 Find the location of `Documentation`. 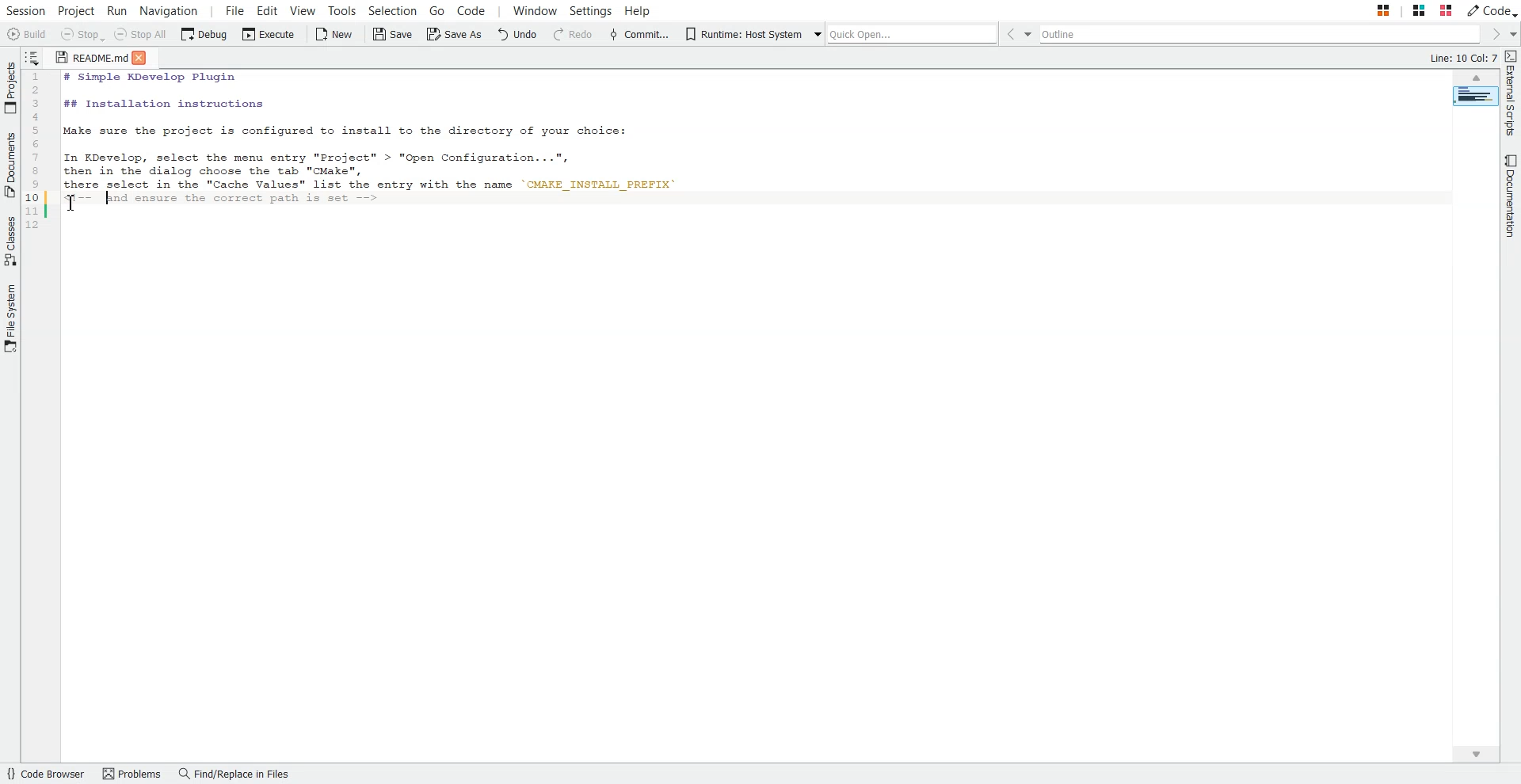

Documentation is located at coordinates (1511, 196).